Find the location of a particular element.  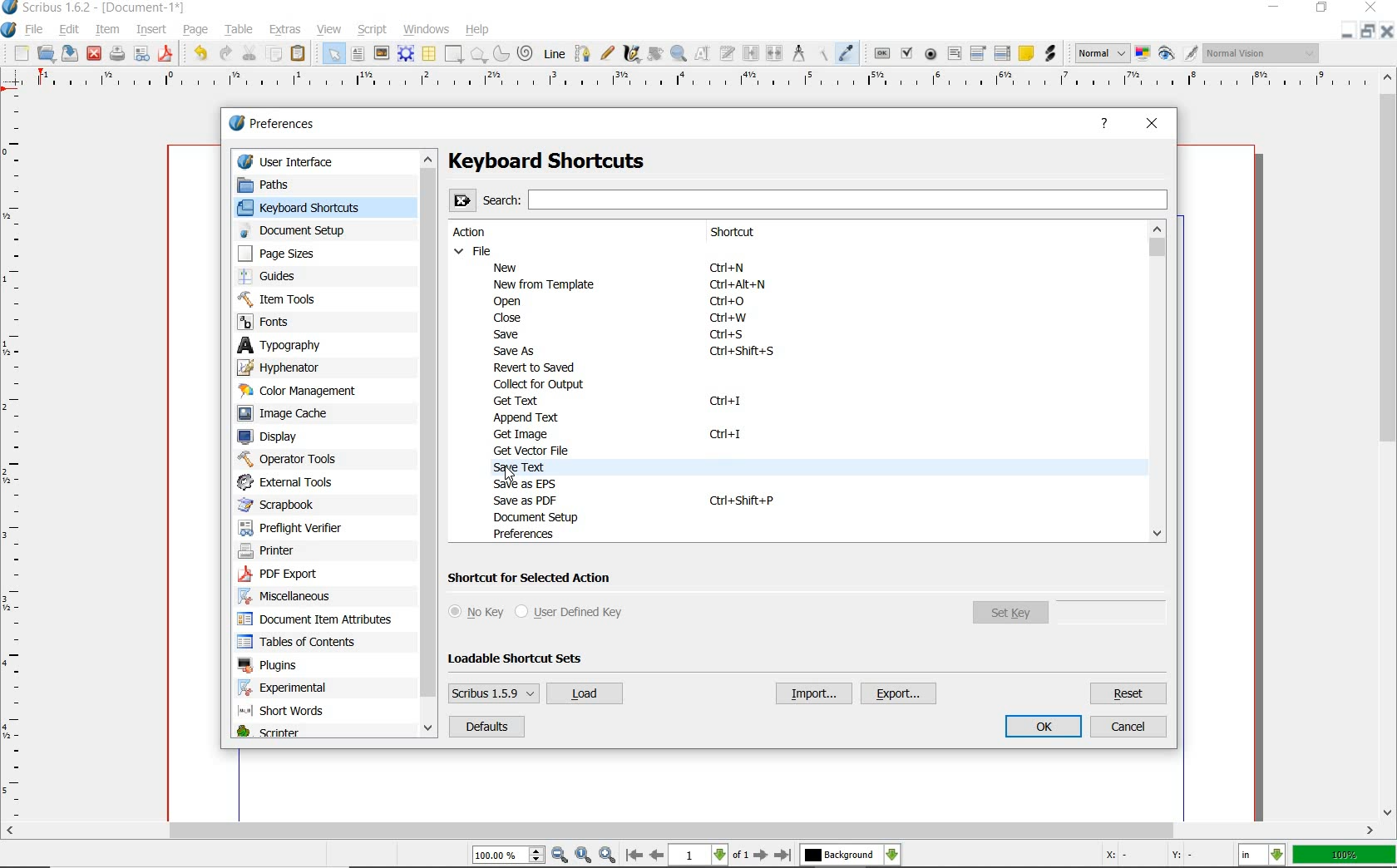

shape is located at coordinates (455, 54).